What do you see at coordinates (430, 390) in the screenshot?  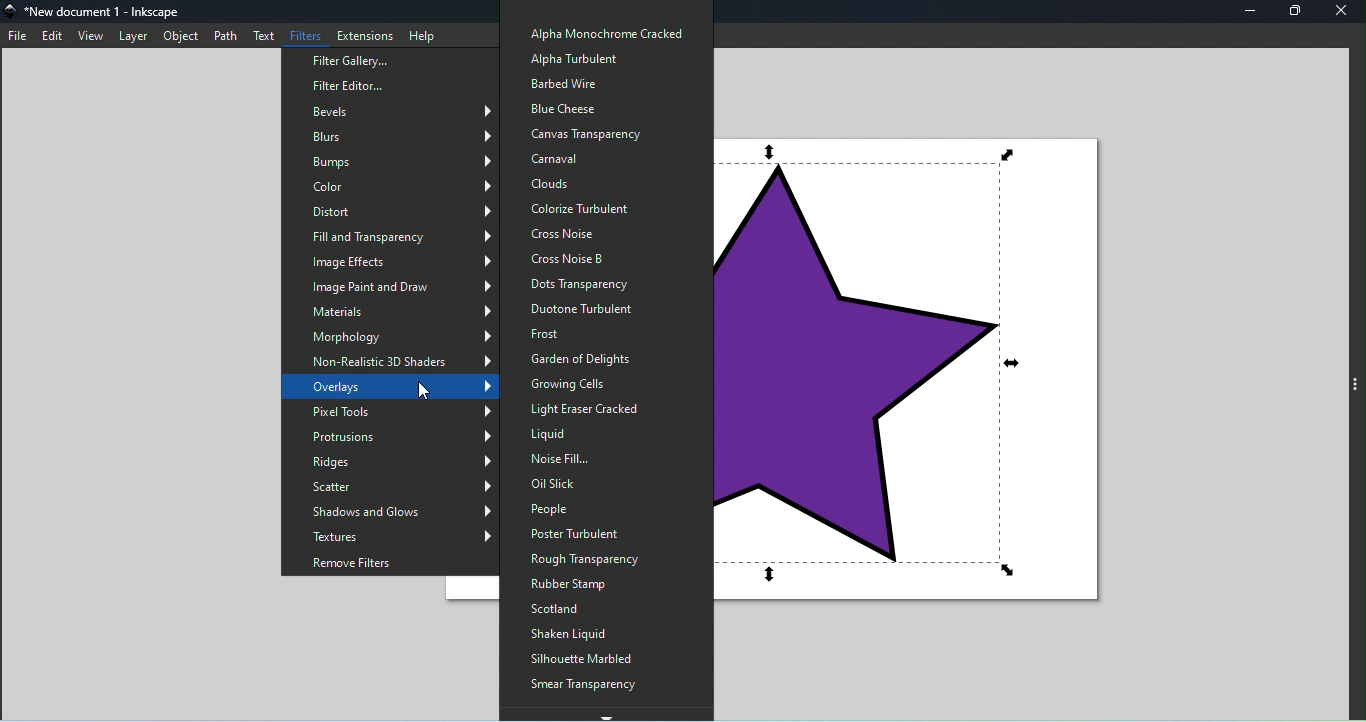 I see `Cursor` at bounding box center [430, 390].